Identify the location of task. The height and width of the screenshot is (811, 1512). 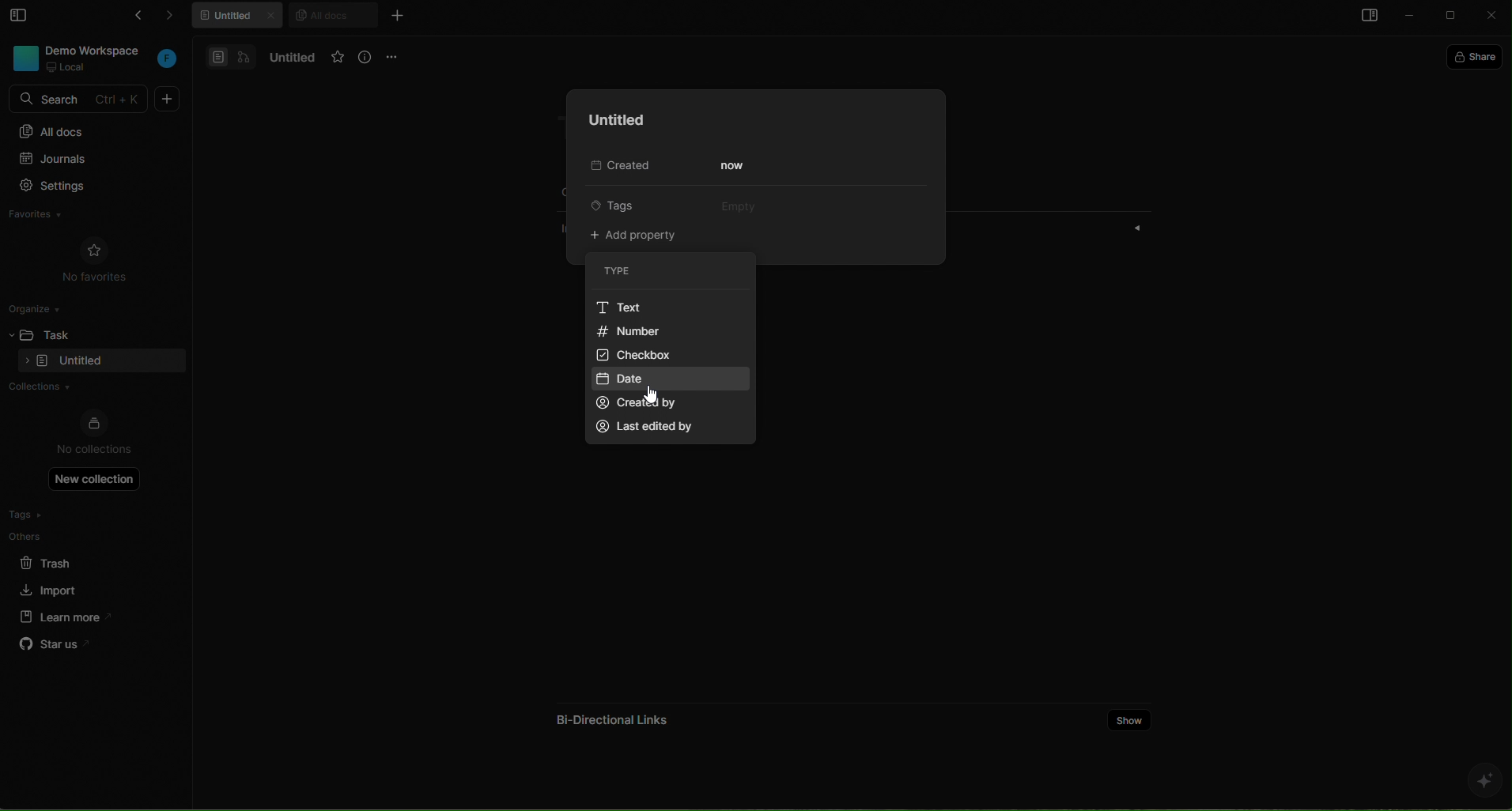
(64, 333).